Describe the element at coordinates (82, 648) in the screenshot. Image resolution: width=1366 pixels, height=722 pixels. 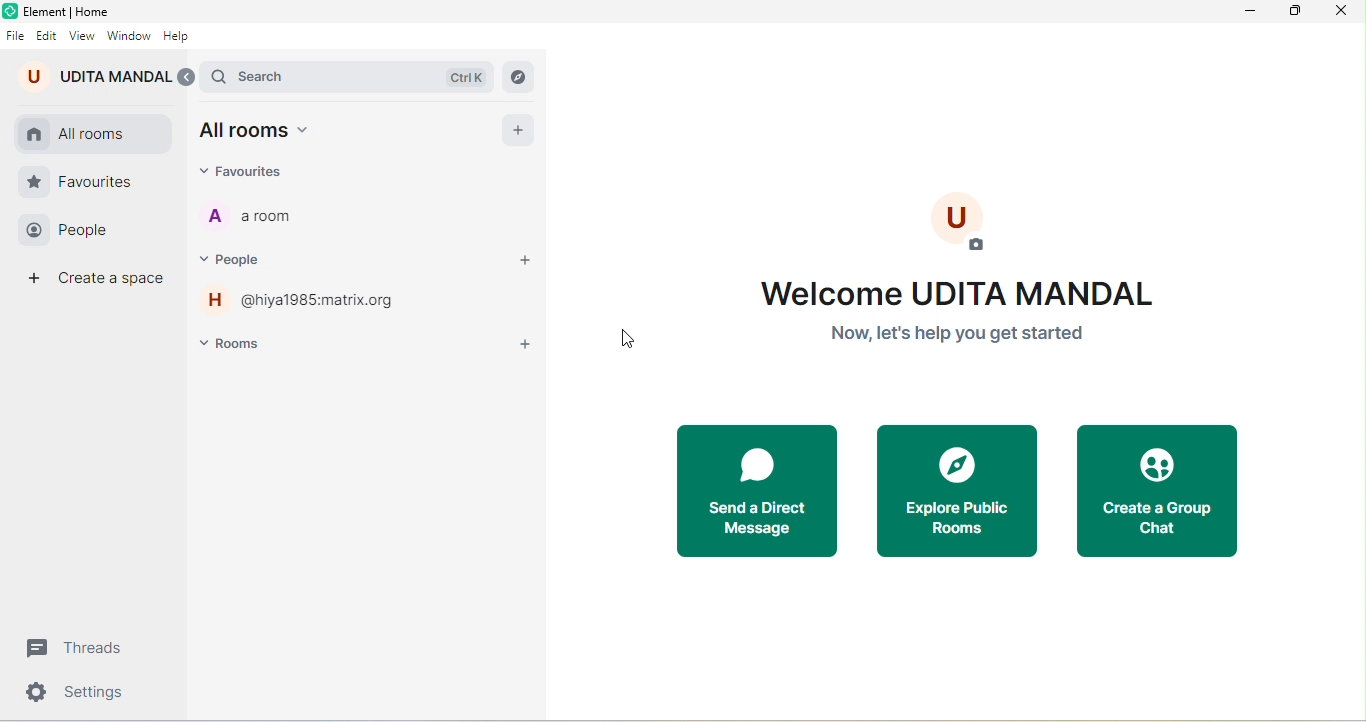
I see `threads` at that location.